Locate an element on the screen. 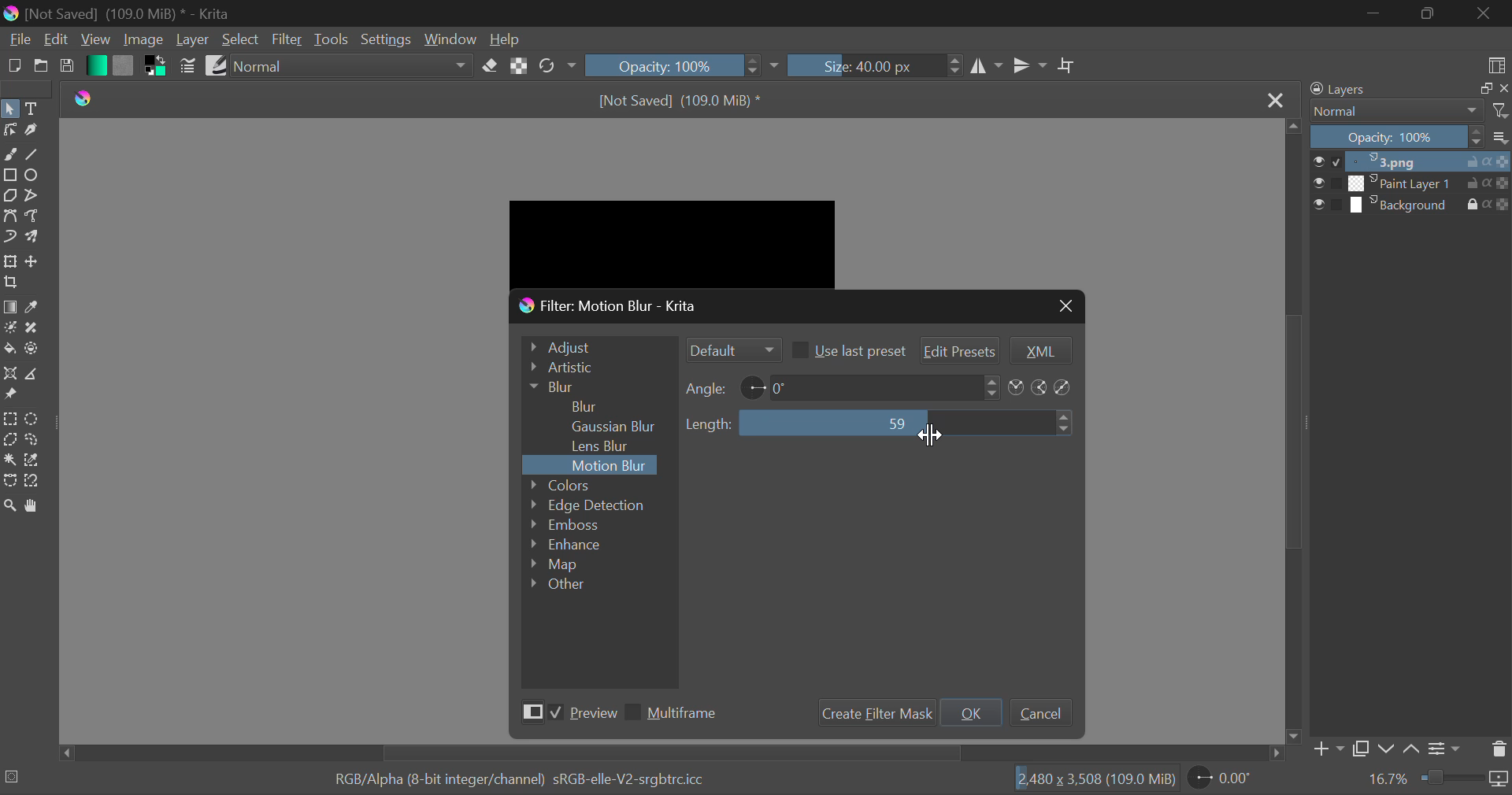 This screenshot has width=1512, height=795. Freehand is located at coordinates (10, 154).